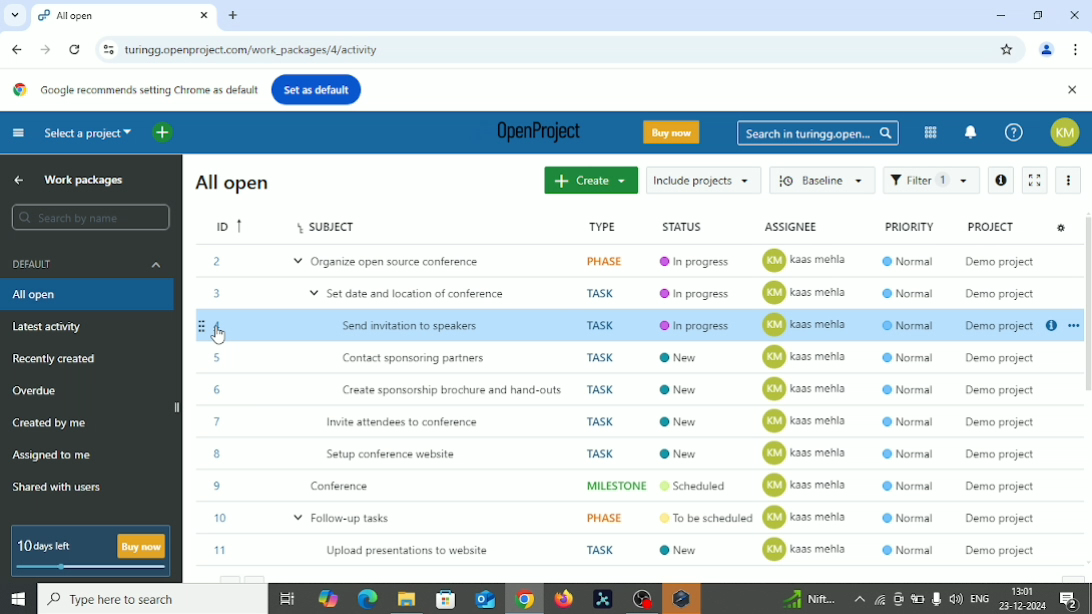  I want to click on speaker, so click(956, 598).